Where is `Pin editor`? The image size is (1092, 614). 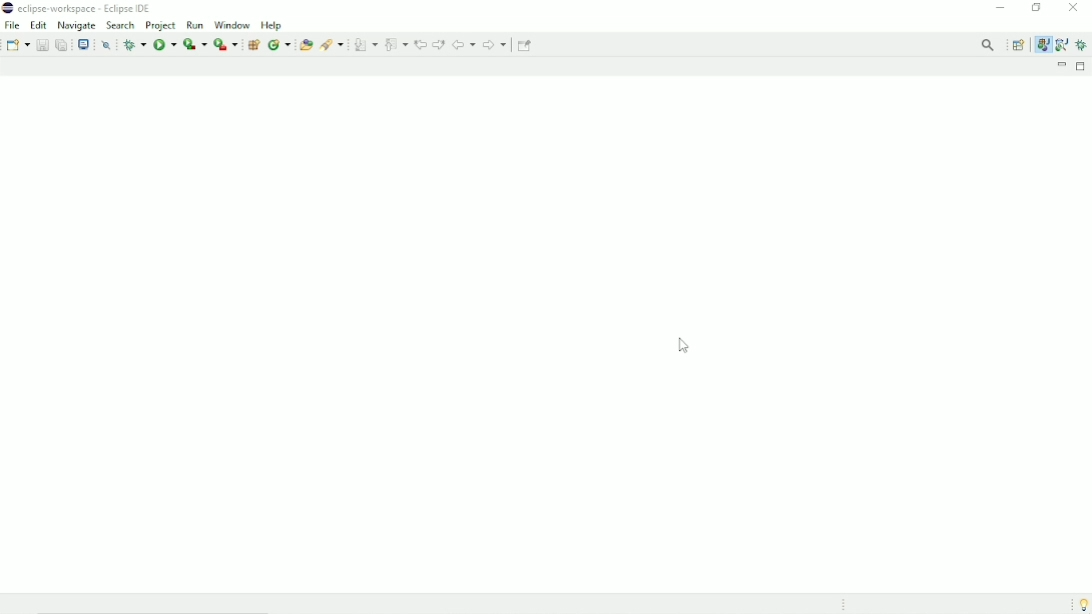
Pin editor is located at coordinates (526, 45).